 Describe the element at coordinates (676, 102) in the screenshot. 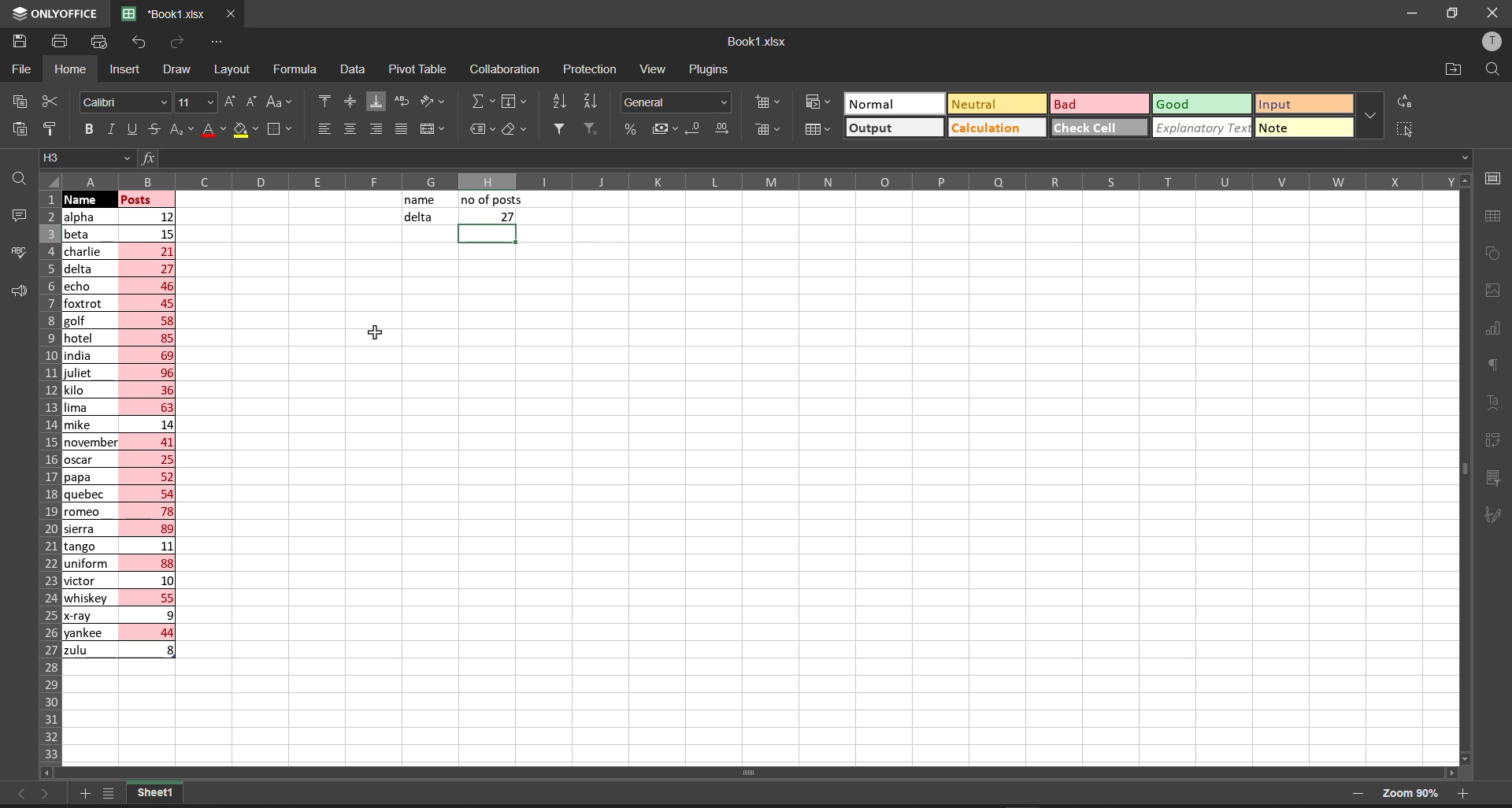

I see `number format` at that location.